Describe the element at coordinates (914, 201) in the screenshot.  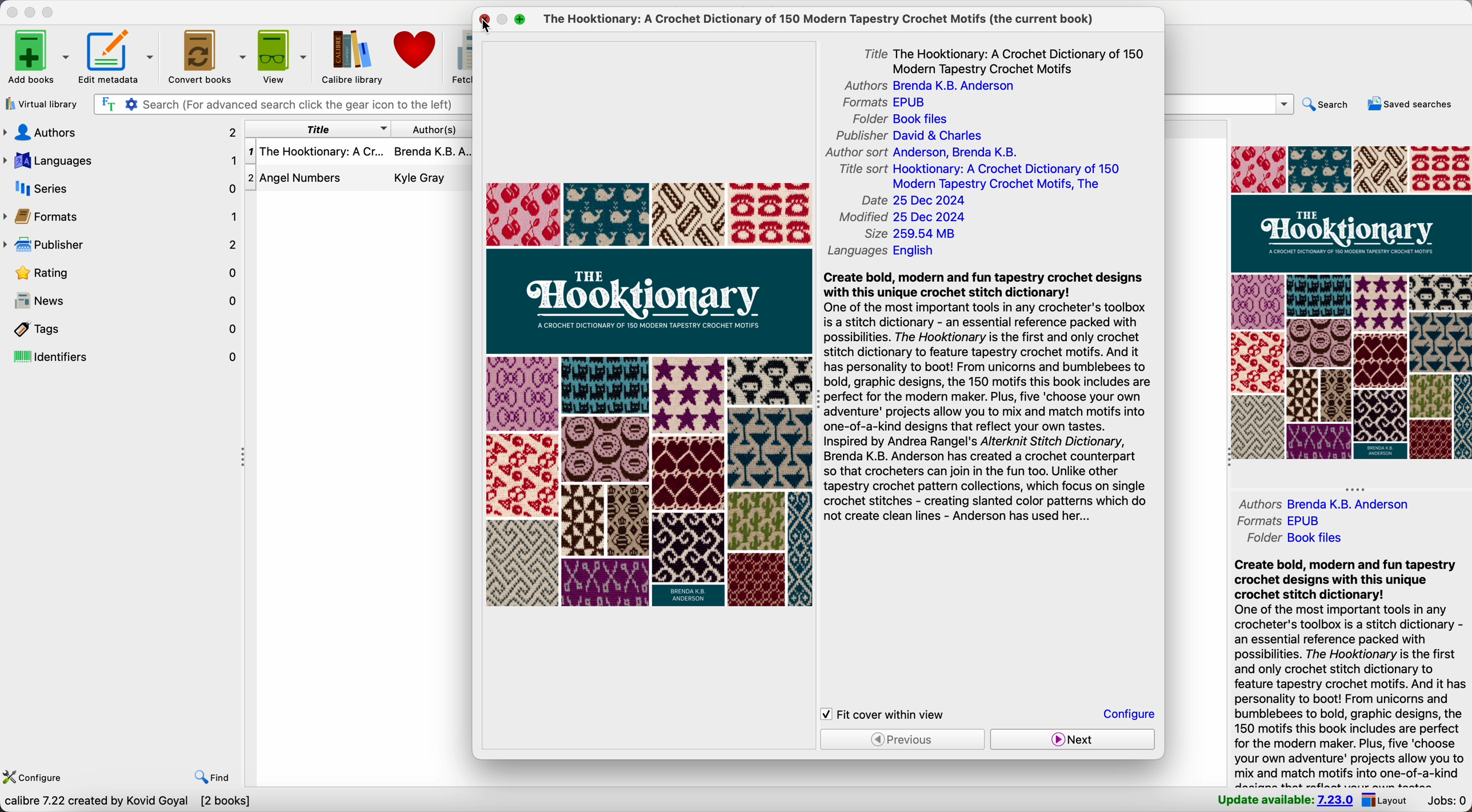
I see `date` at that location.